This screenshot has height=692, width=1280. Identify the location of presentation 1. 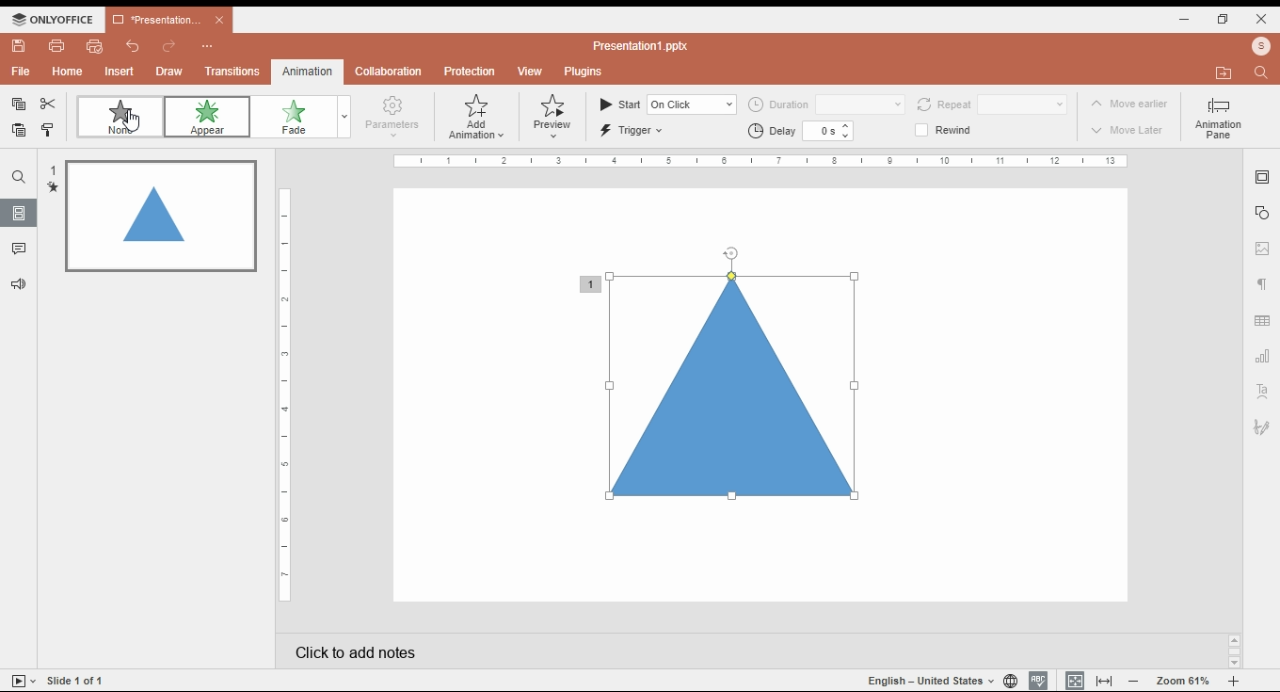
(170, 20).